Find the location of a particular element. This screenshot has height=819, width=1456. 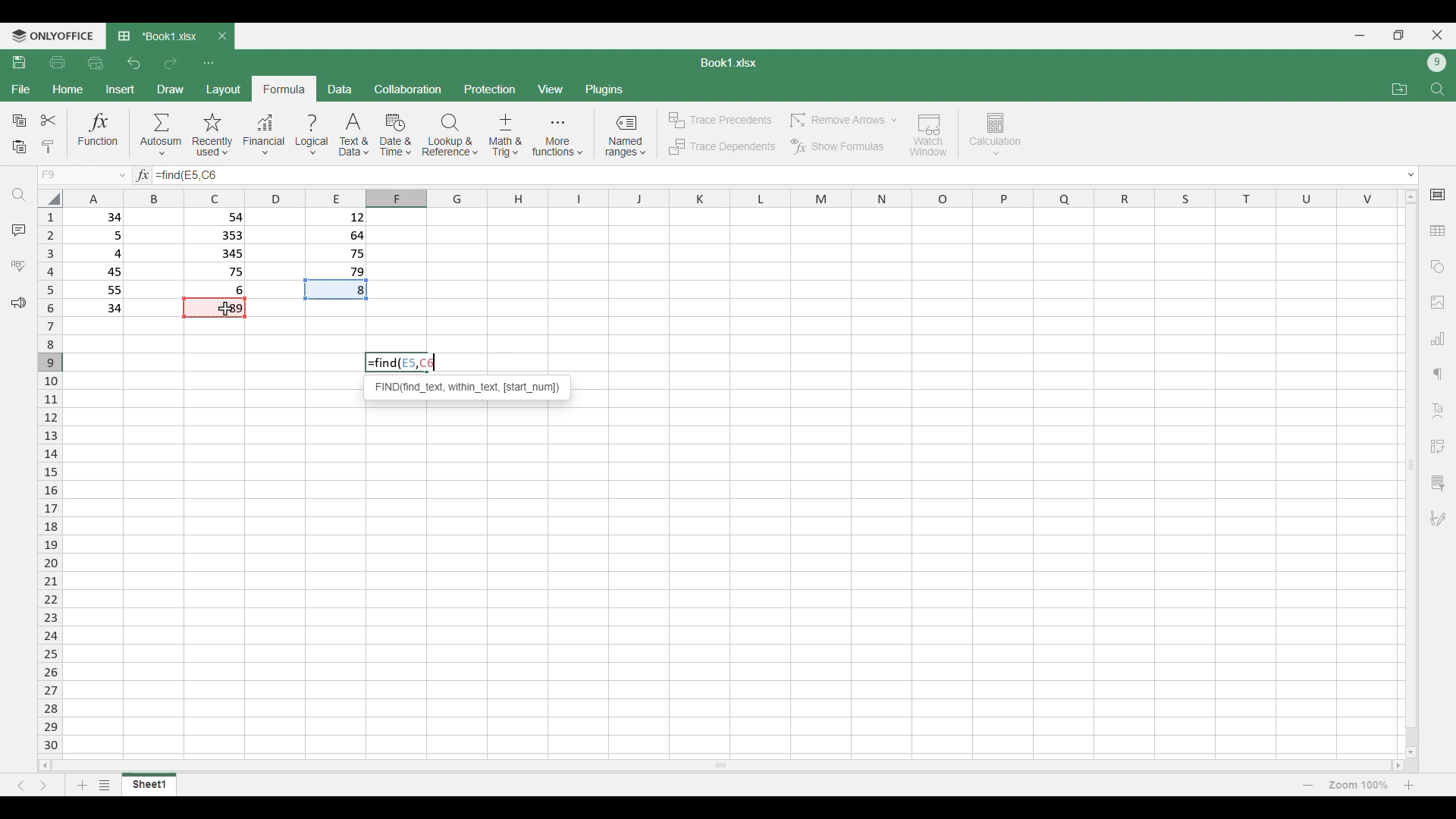

Insert menu is located at coordinates (120, 89).